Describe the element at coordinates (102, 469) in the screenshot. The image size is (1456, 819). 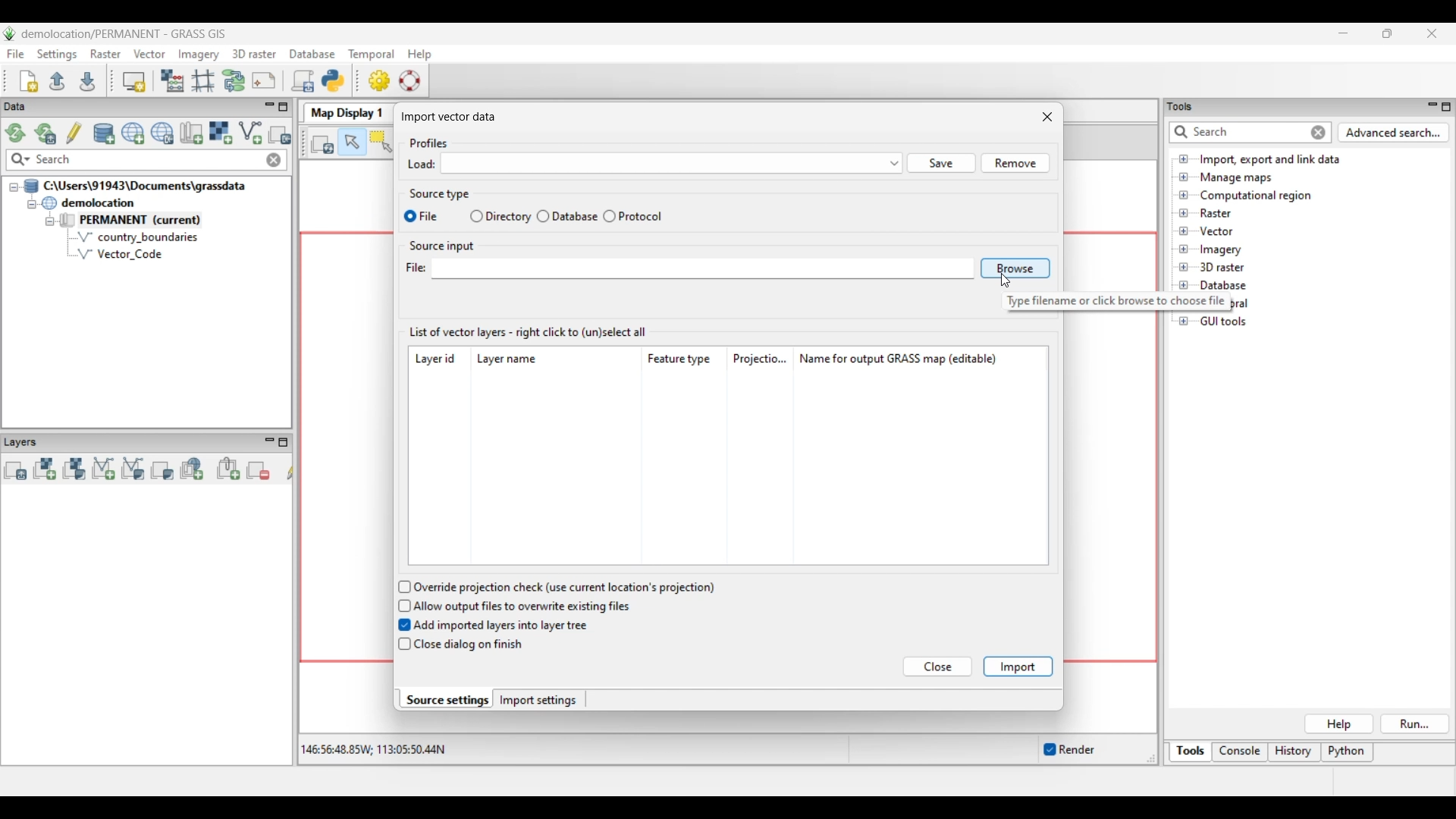
I see `Add vector map layer` at that location.